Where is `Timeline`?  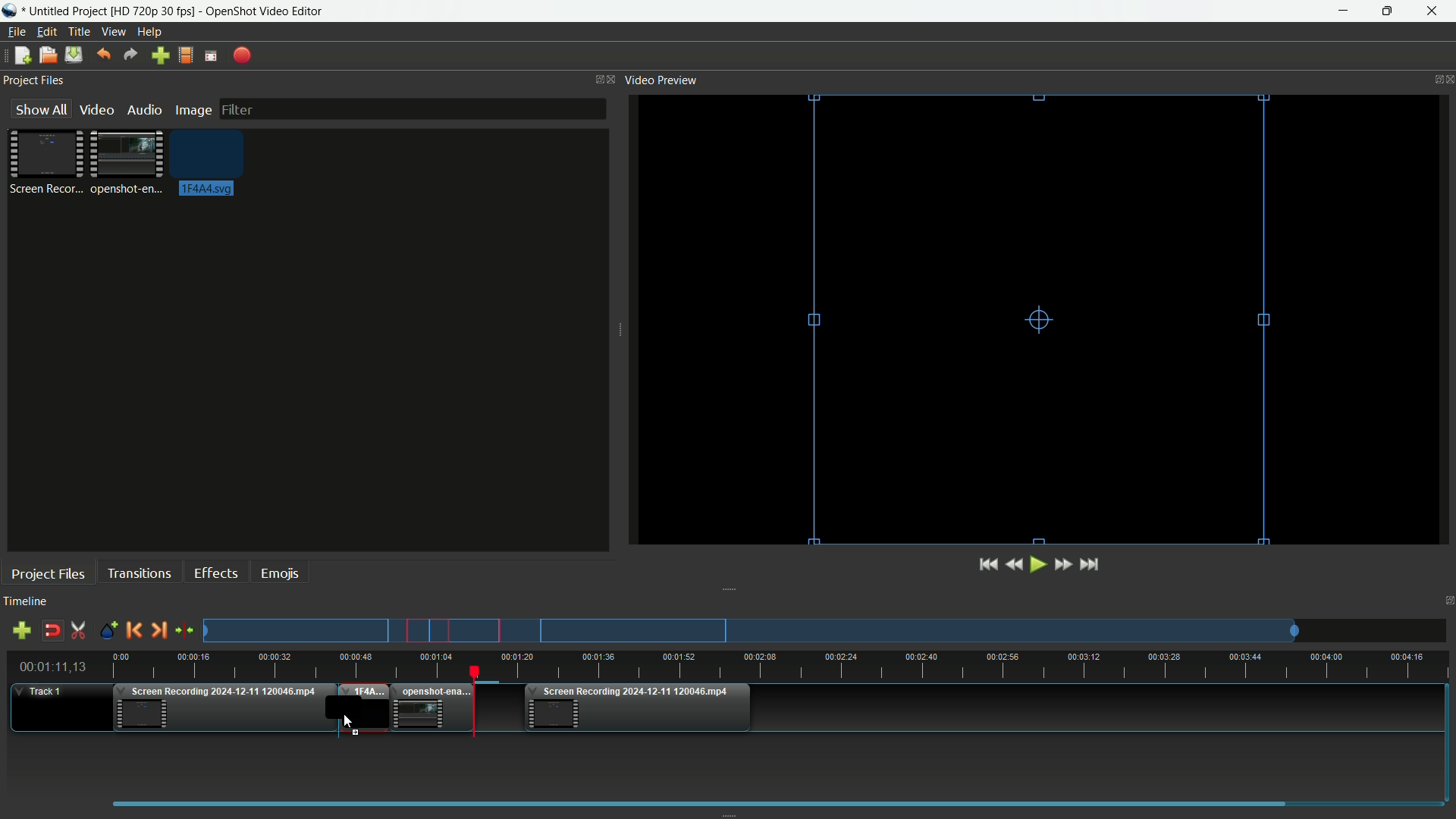 Timeline is located at coordinates (25, 602).